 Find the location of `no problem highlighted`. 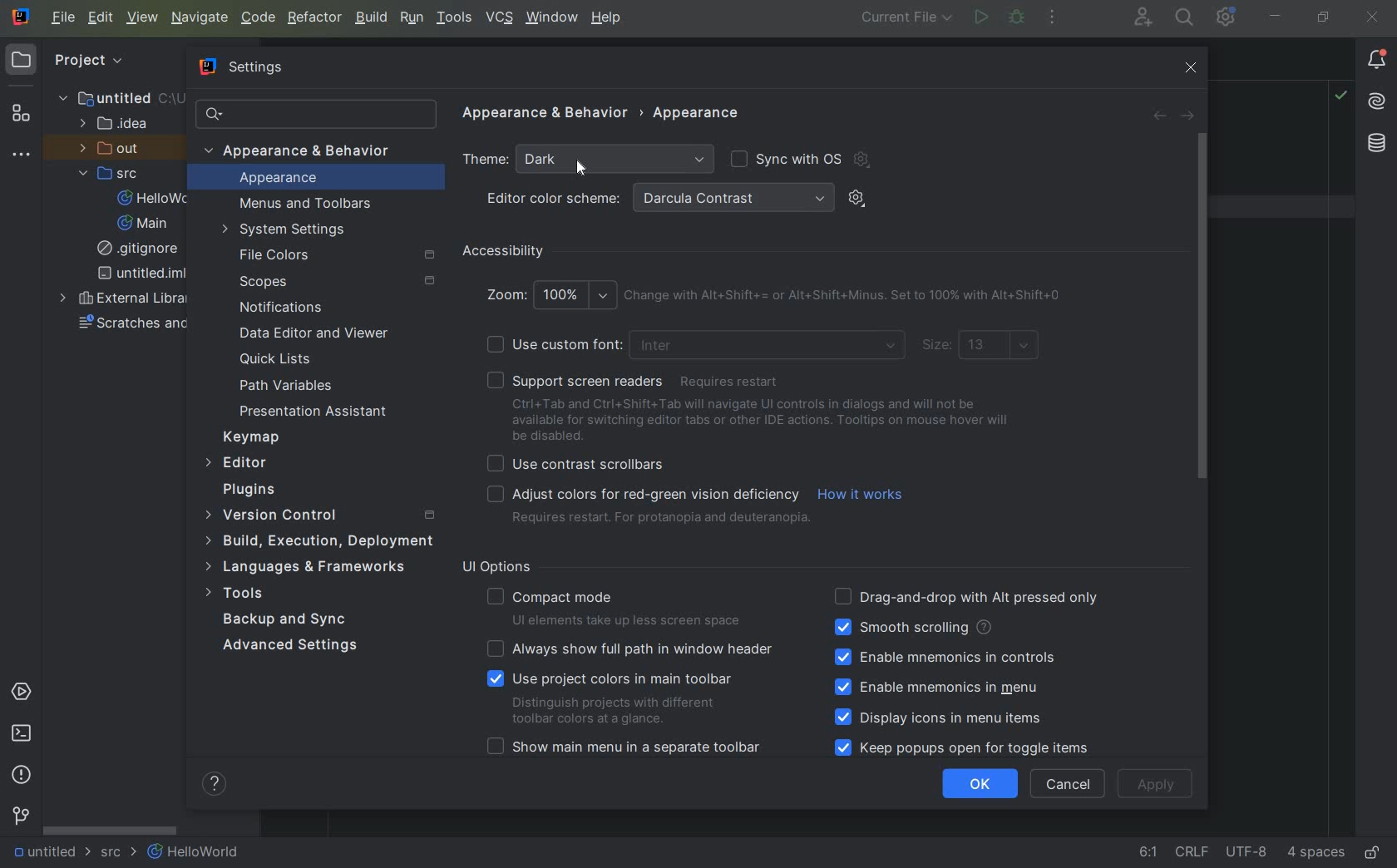

no problem highlighted is located at coordinates (1340, 94).